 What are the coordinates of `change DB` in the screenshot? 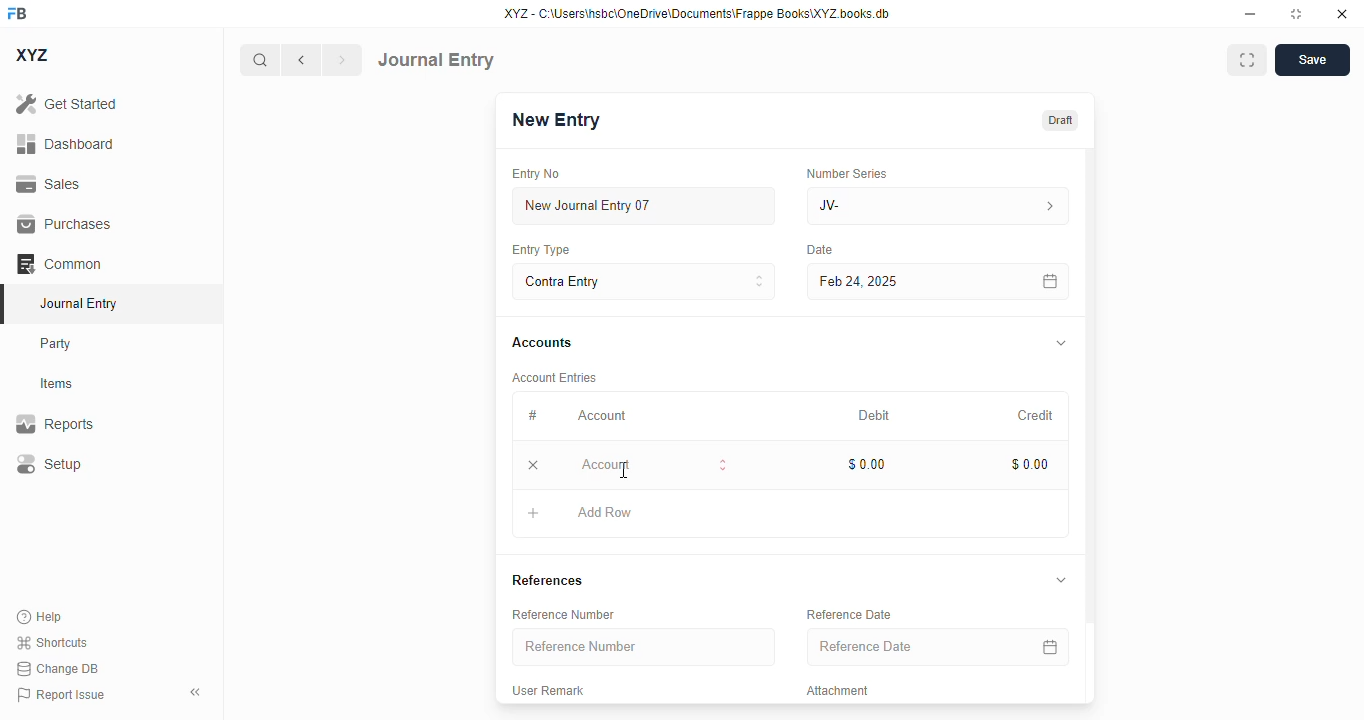 It's located at (57, 668).